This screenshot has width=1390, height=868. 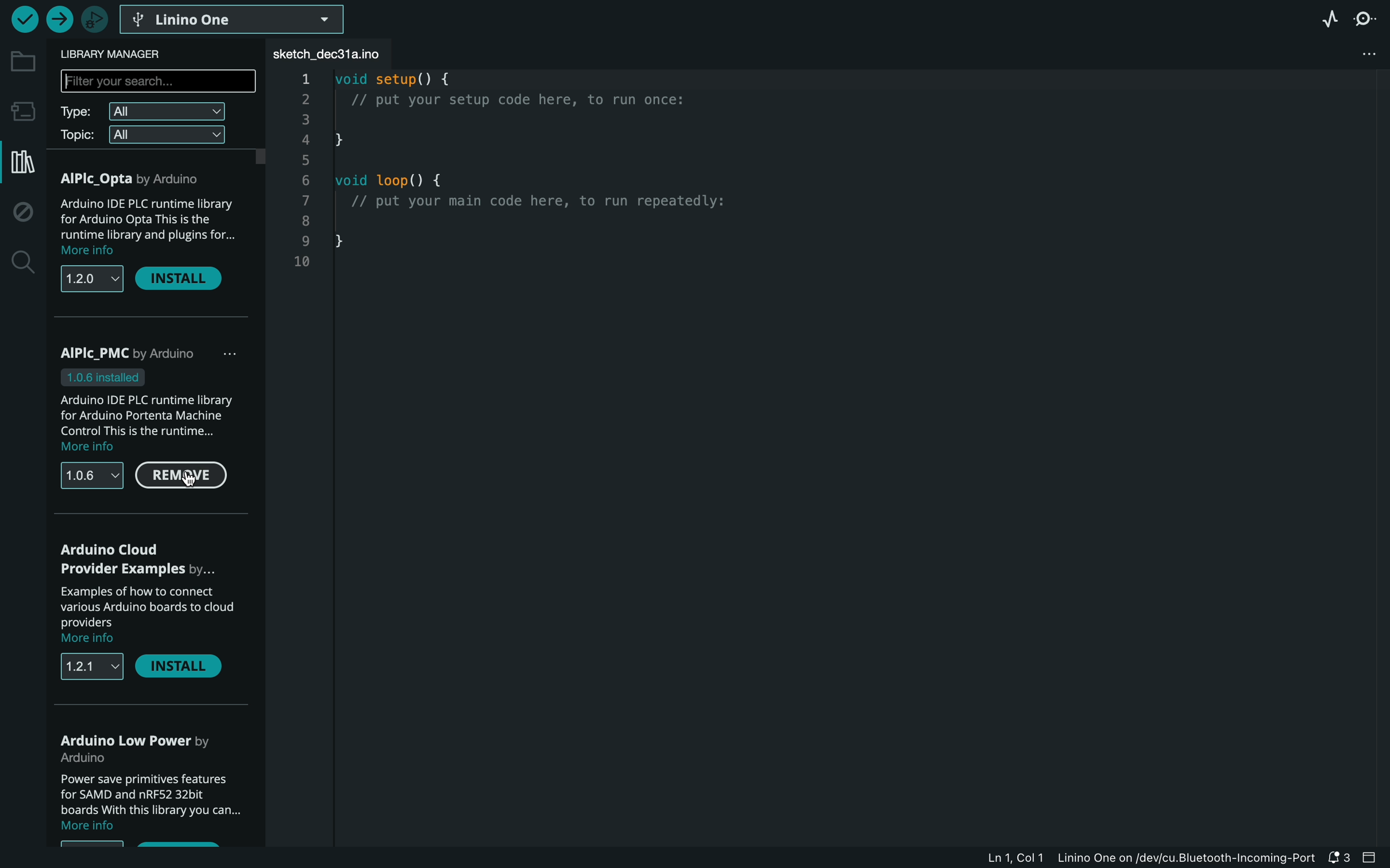 What do you see at coordinates (92, 666) in the screenshot?
I see `versions` at bounding box center [92, 666].